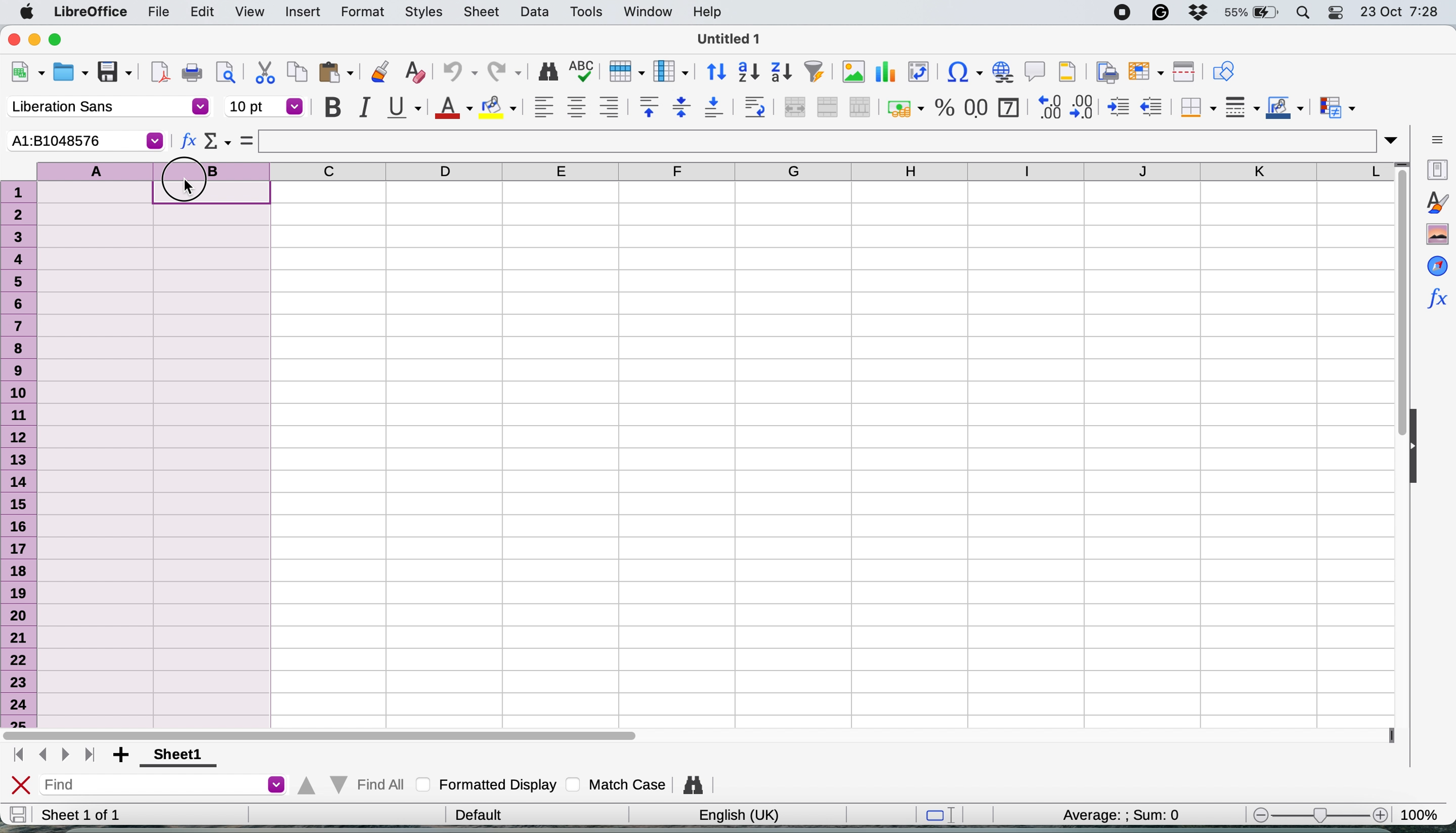 This screenshot has width=1456, height=833. I want to click on minimise, so click(37, 41).